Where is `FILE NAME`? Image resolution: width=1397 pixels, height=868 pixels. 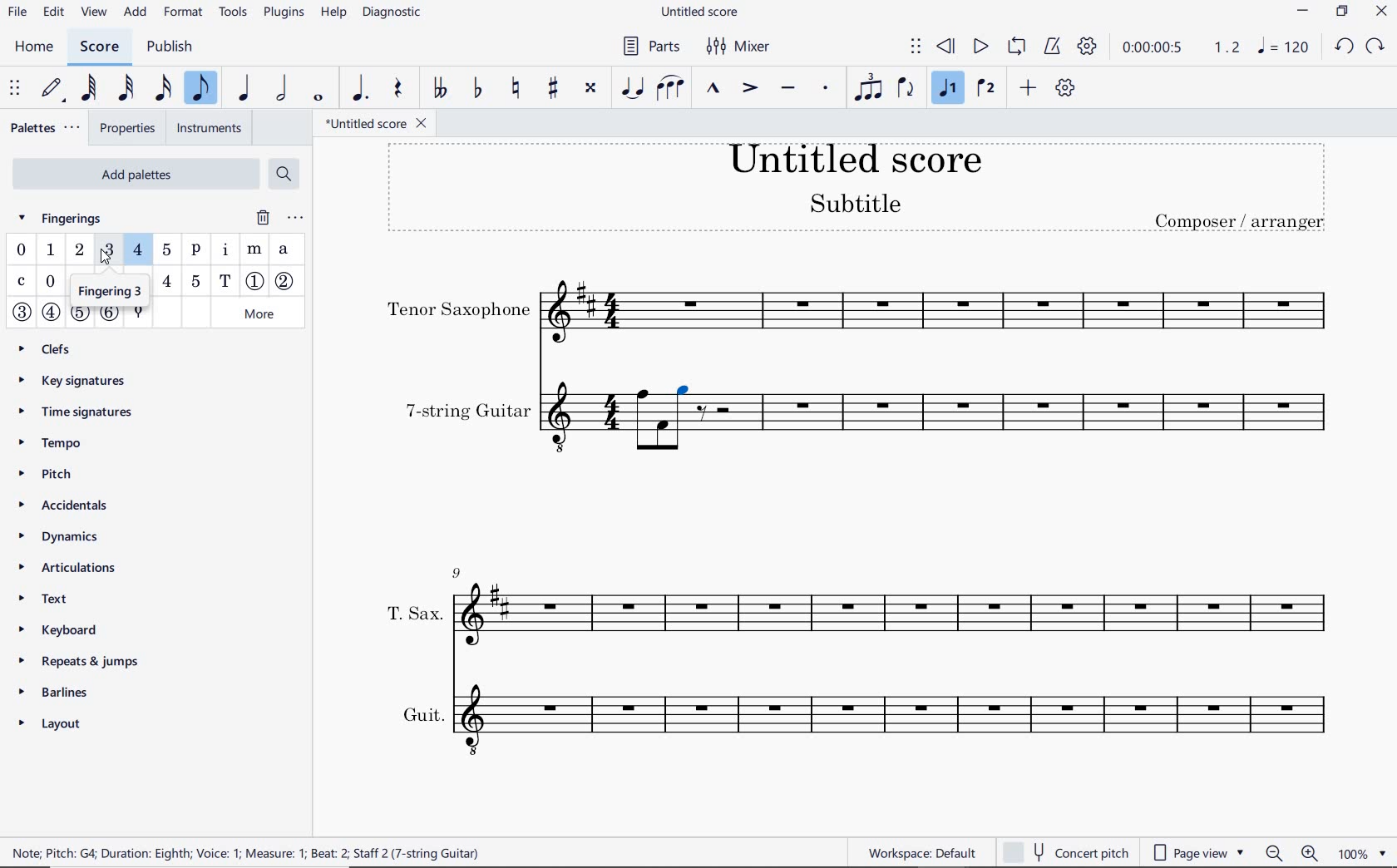
FILE NAME is located at coordinates (701, 13).